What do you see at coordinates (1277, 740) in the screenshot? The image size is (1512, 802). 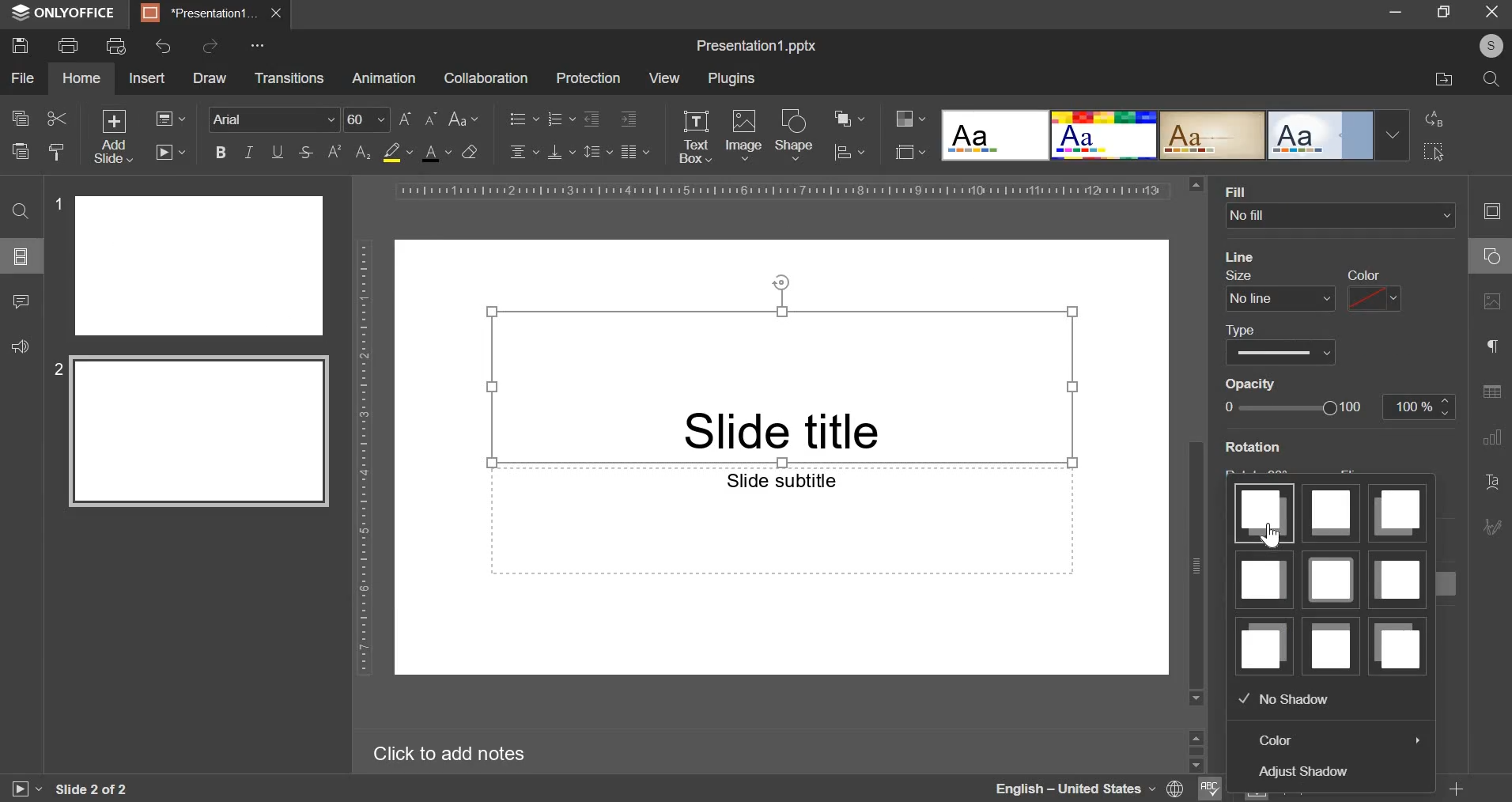 I see `color` at bounding box center [1277, 740].